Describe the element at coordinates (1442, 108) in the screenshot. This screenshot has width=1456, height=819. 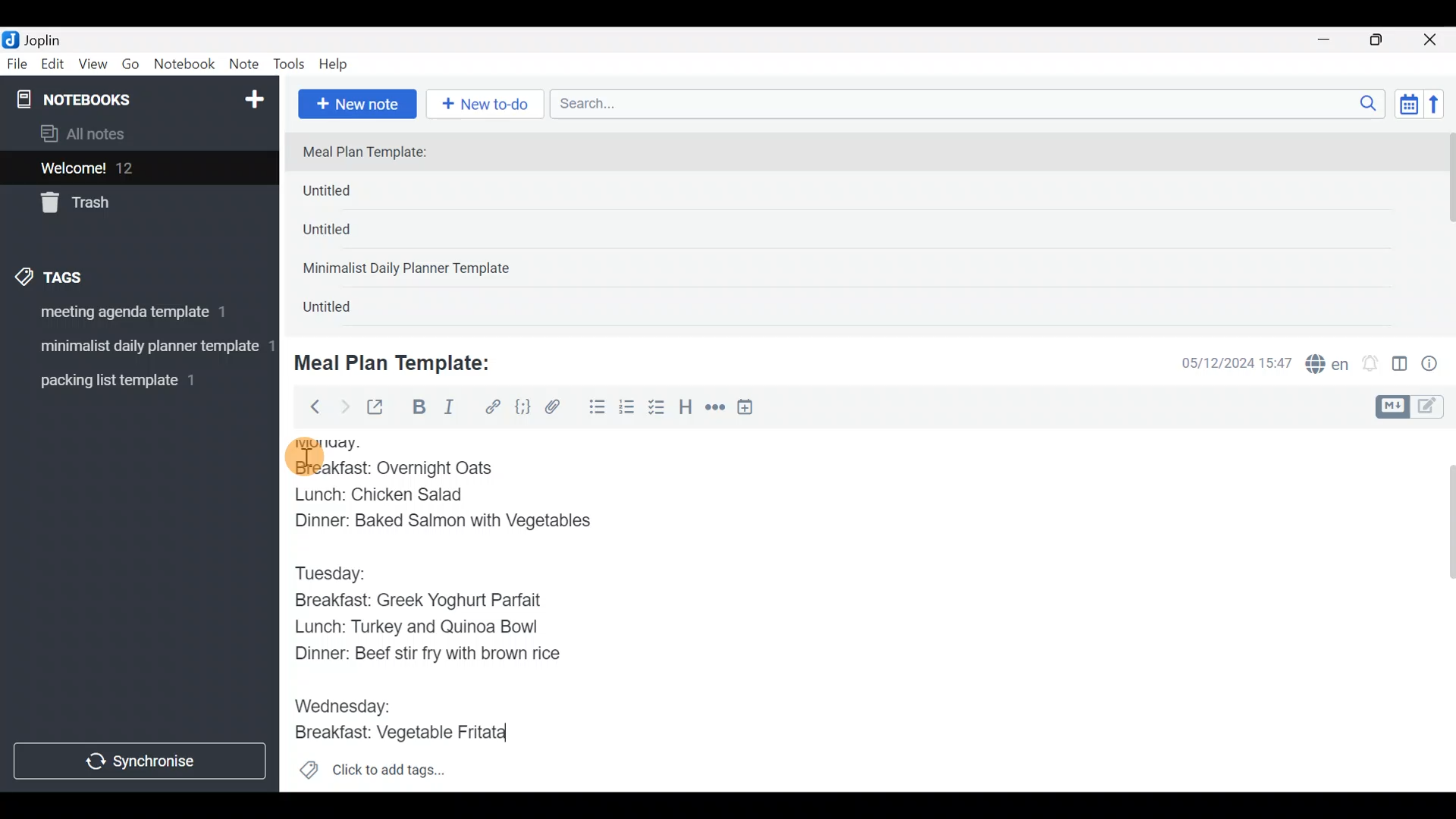
I see `Reverse sort` at that location.